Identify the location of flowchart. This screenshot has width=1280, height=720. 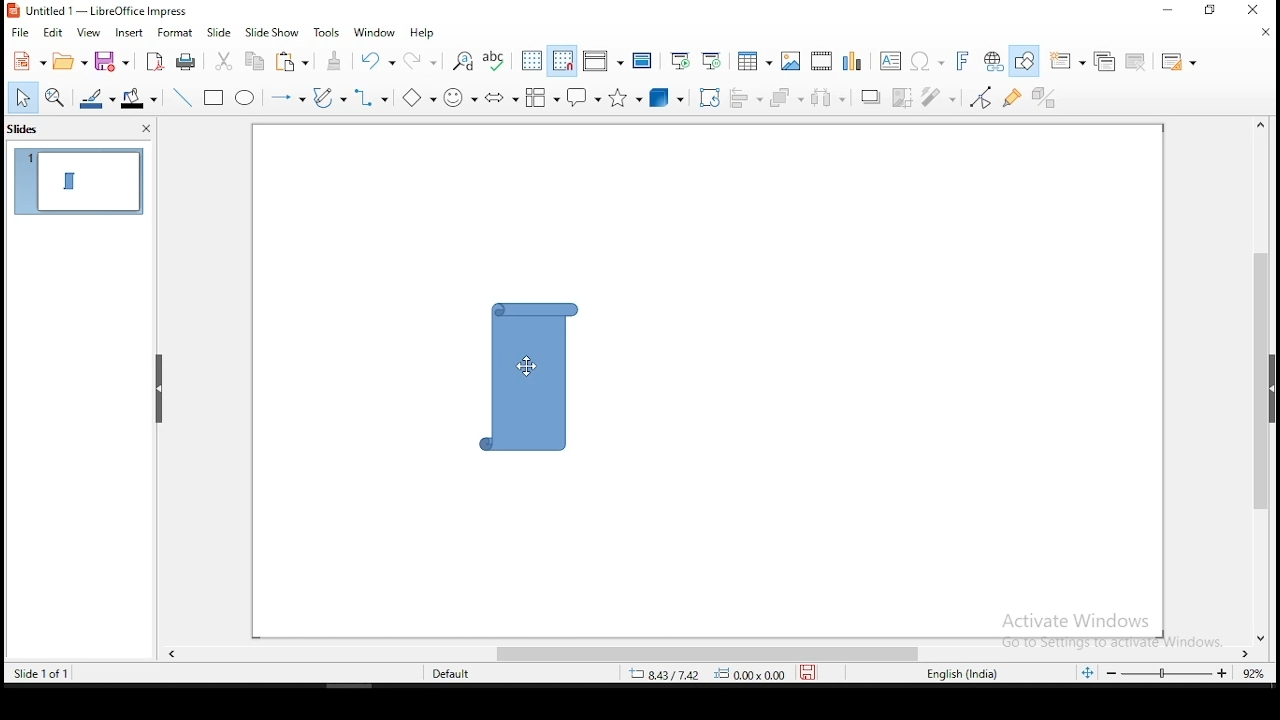
(544, 98).